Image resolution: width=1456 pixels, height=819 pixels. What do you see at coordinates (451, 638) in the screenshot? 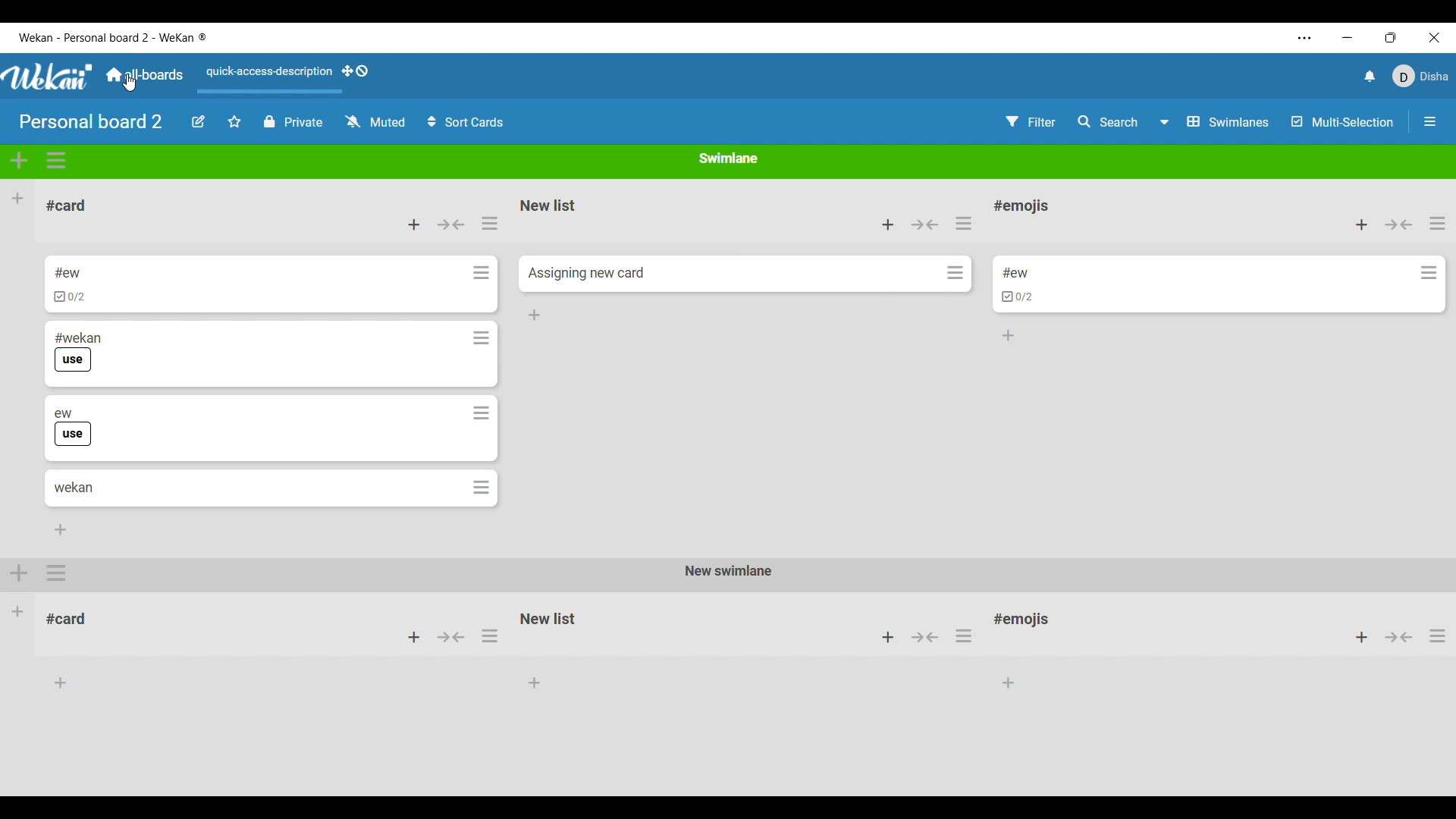
I see `collapse` at bounding box center [451, 638].